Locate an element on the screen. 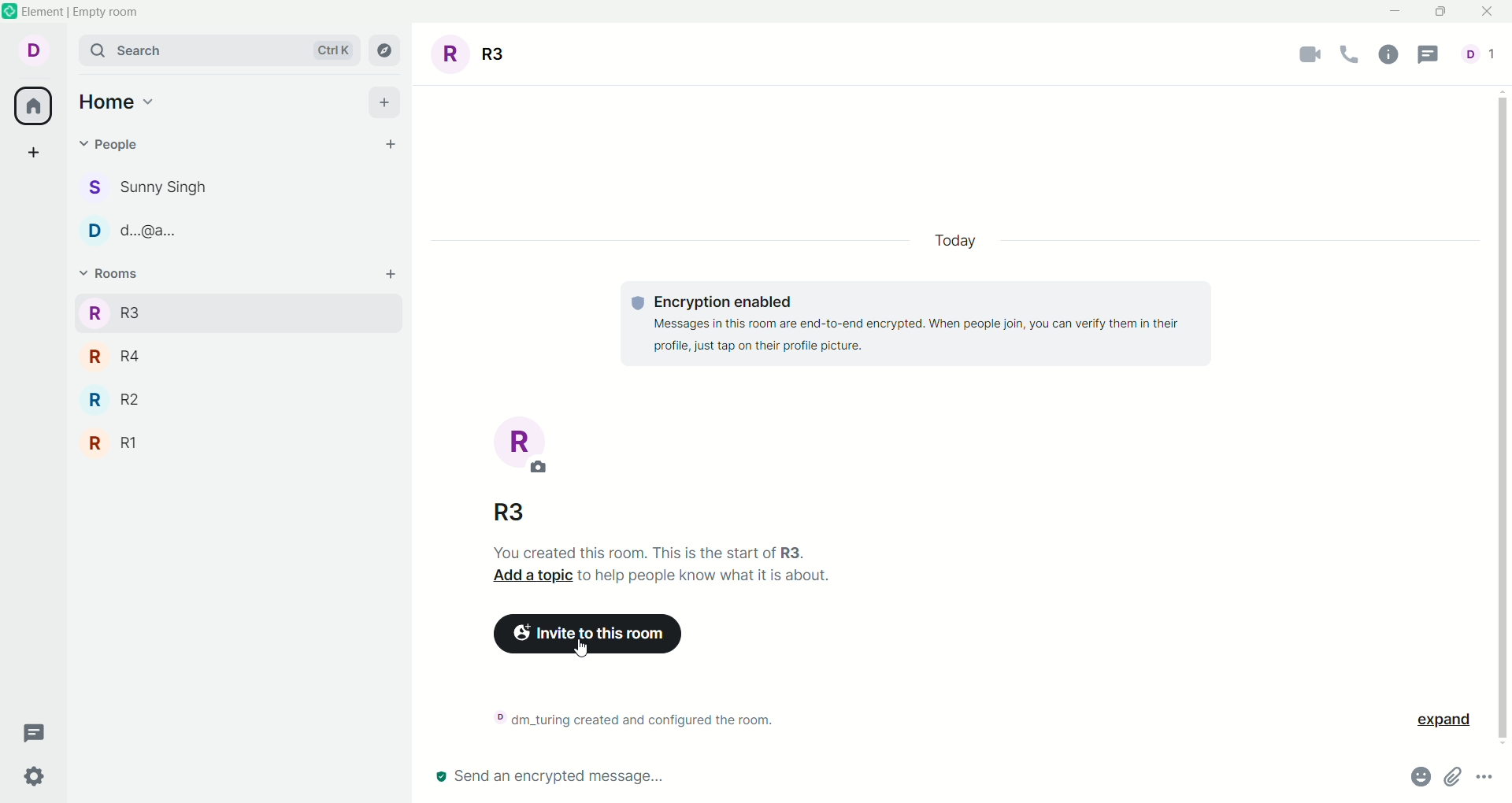 The image size is (1512, 803). R R2 is located at coordinates (114, 401).